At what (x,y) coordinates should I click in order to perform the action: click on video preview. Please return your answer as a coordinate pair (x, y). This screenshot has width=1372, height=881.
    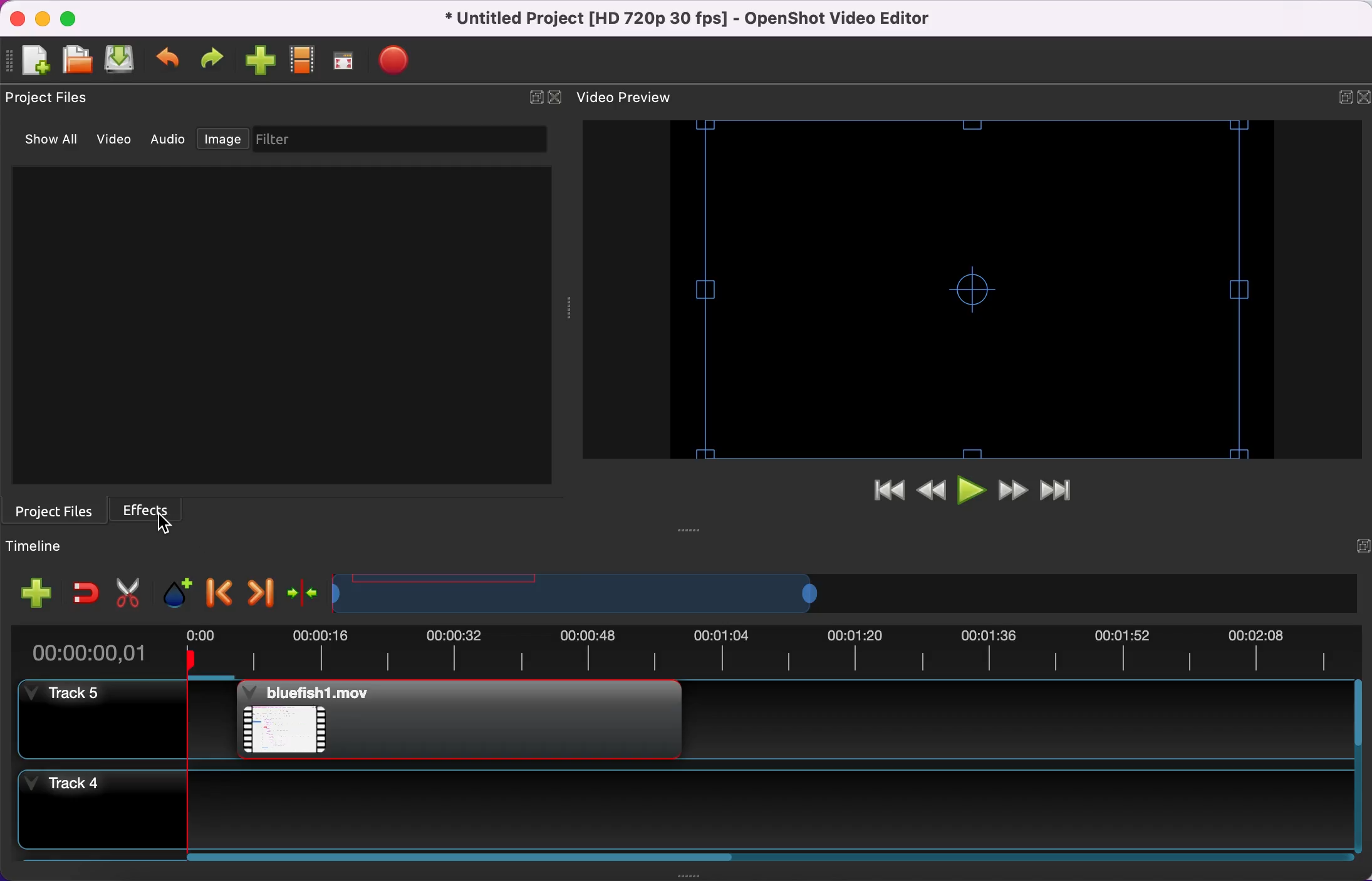
    Looking at the image, I should click on (634, 98).